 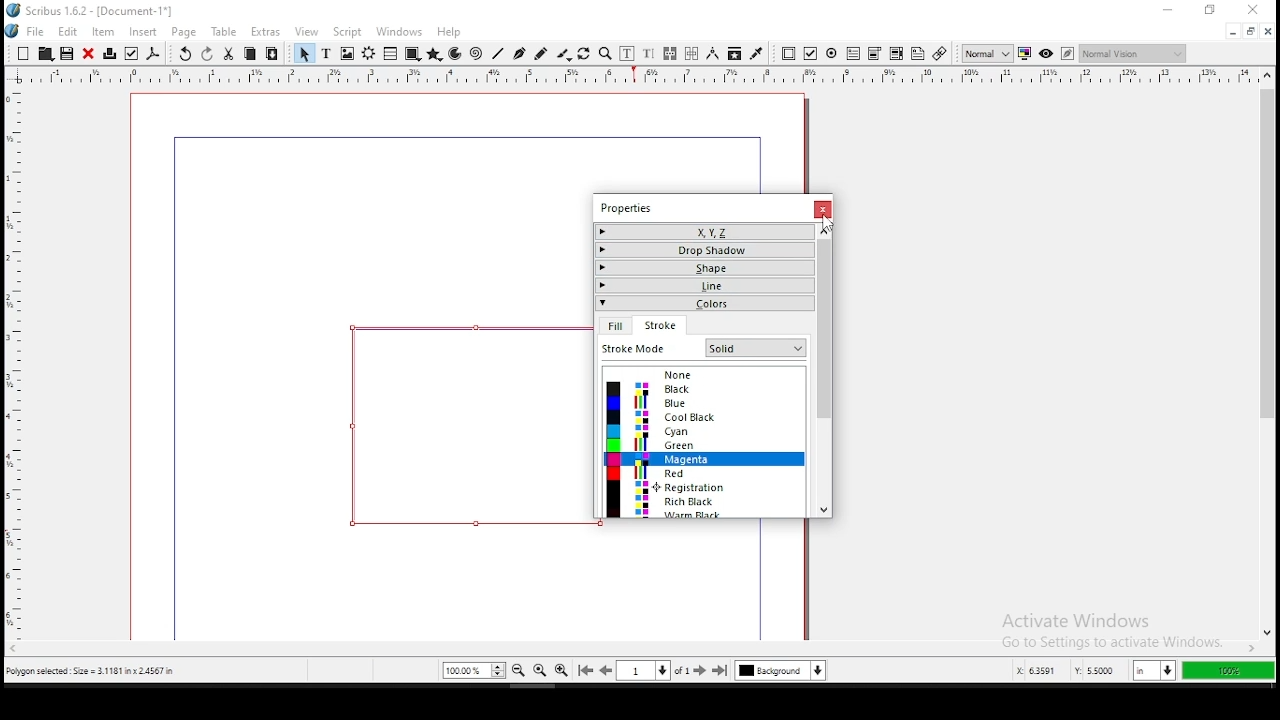 I want to click on x,y,z, so click(x=704, y=233).